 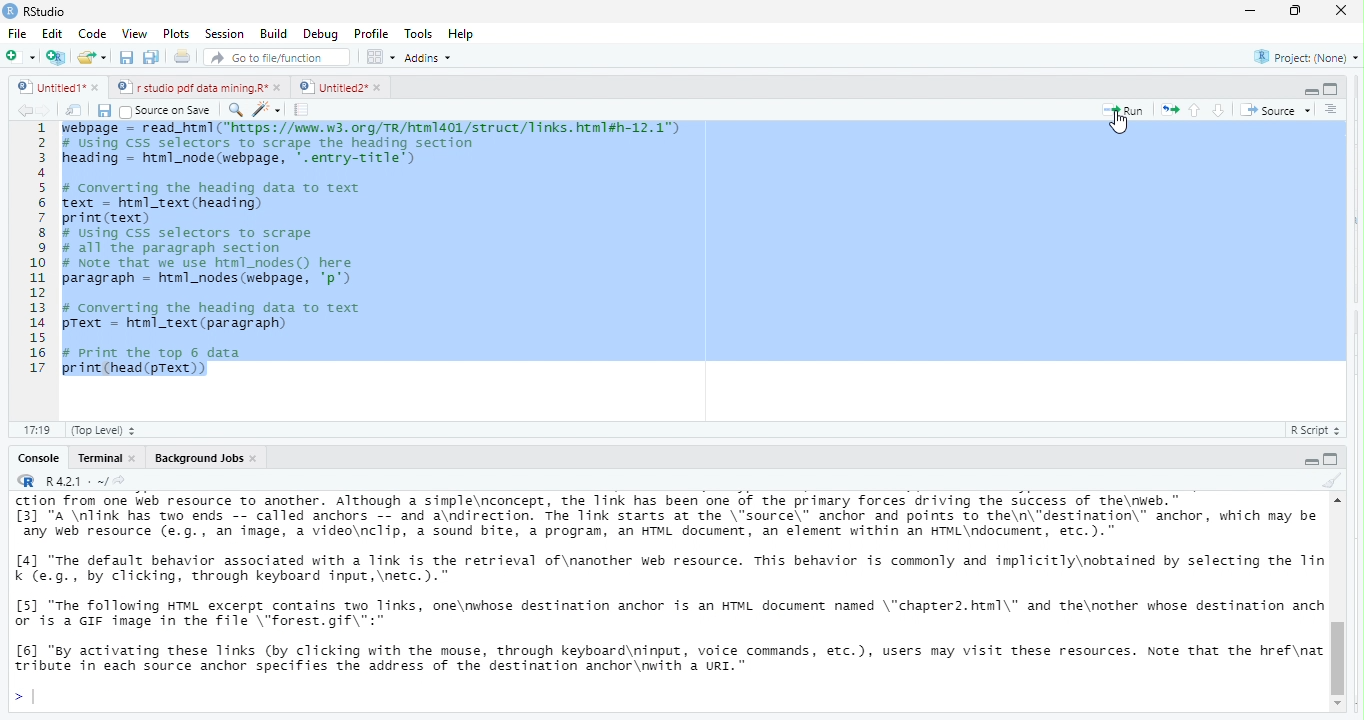 What do you see at coordinates (303, 111) in the screenshot?
I see `compile report` at bounding box center [303, 111].